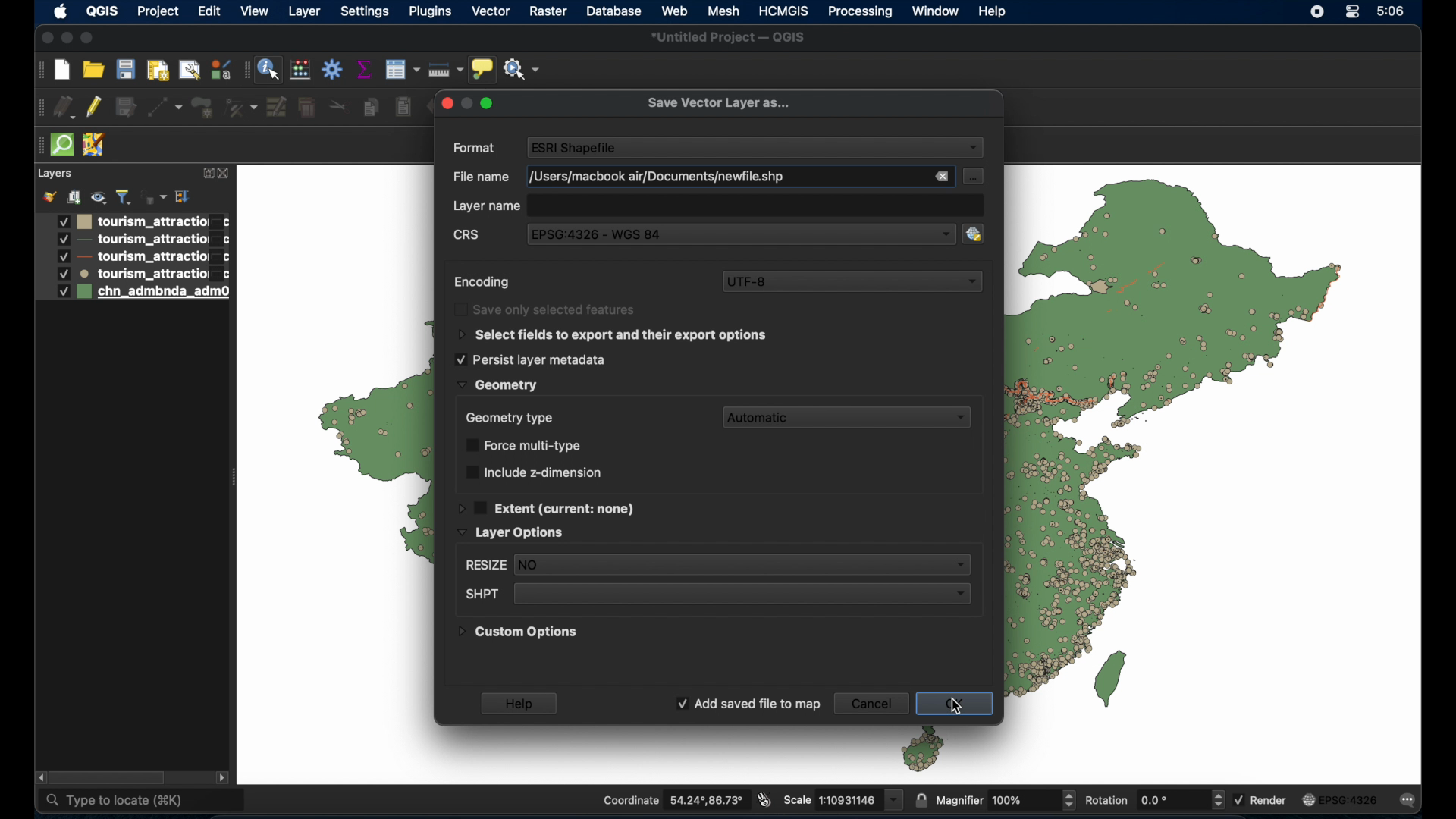 The image size is (1456, 819). What do you see at coordinates (522, 67) in the screenshot?
I see `no action selected` at bounding box center [522, 67].